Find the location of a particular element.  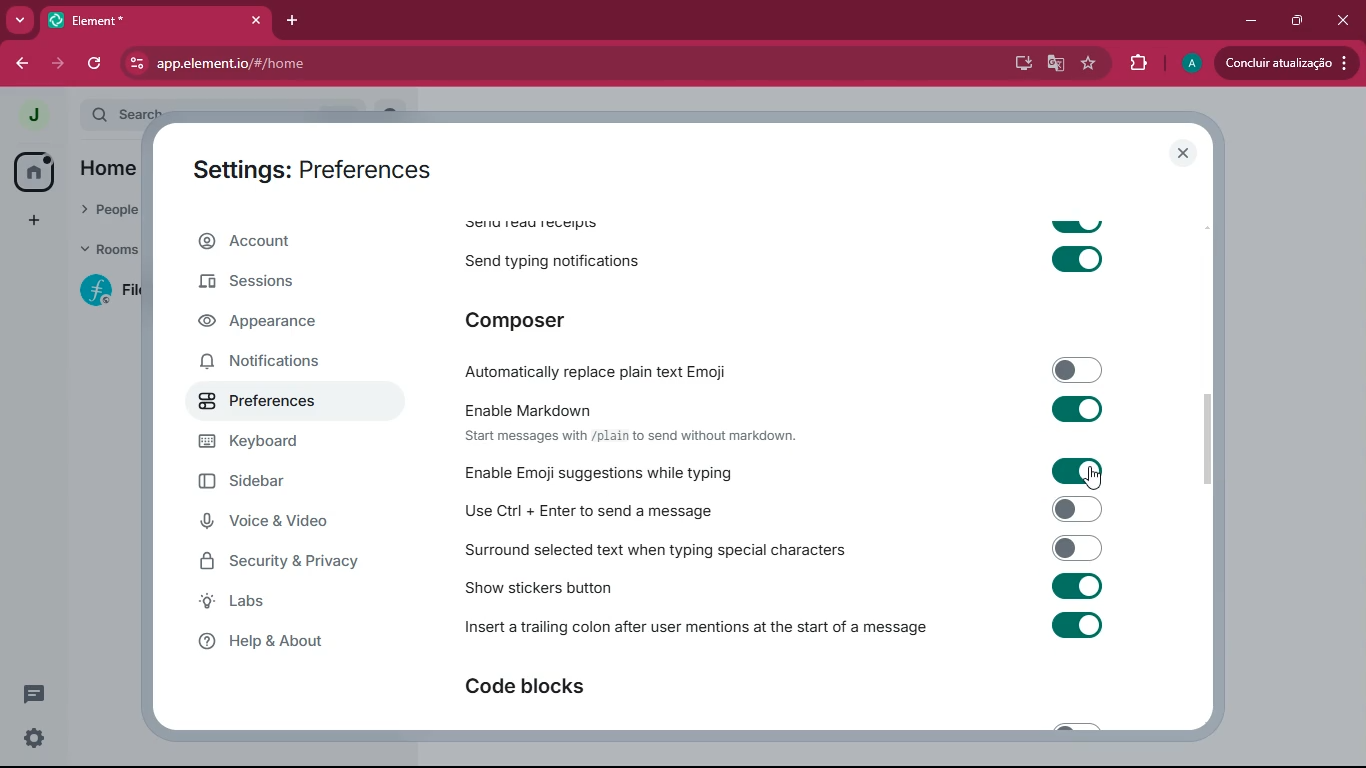

settings is located at coordinates (30, 739).